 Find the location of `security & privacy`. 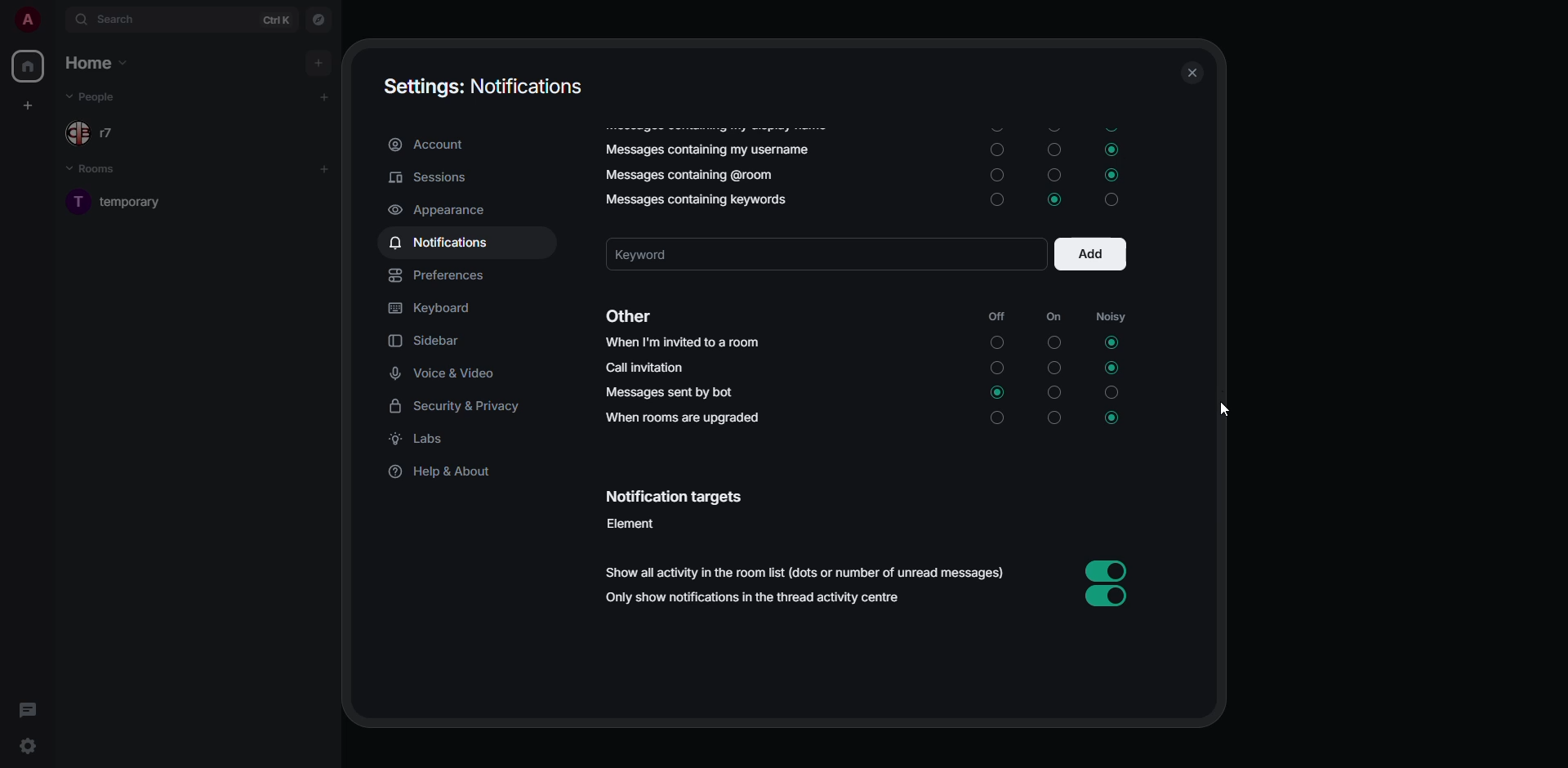

security & privacy is located at coordinates (462, 406).